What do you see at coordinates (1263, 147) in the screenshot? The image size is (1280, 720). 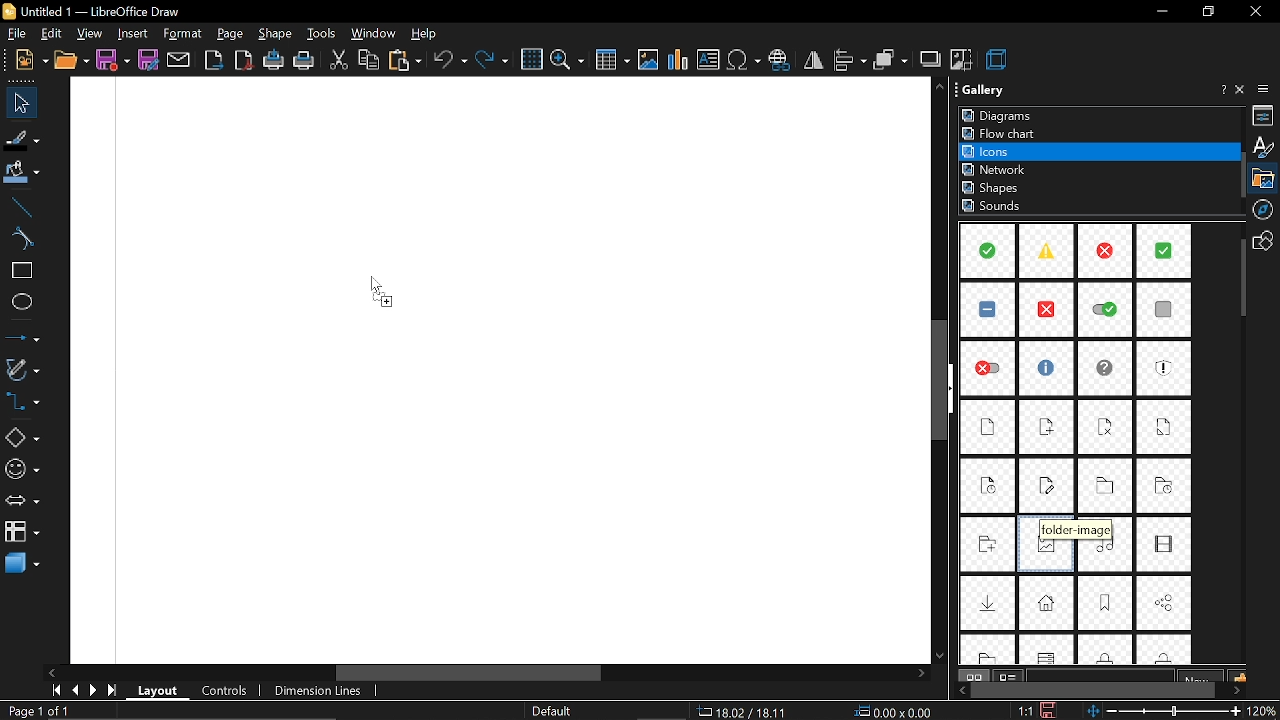 I see `styles` at bounding box center [1263, 147].